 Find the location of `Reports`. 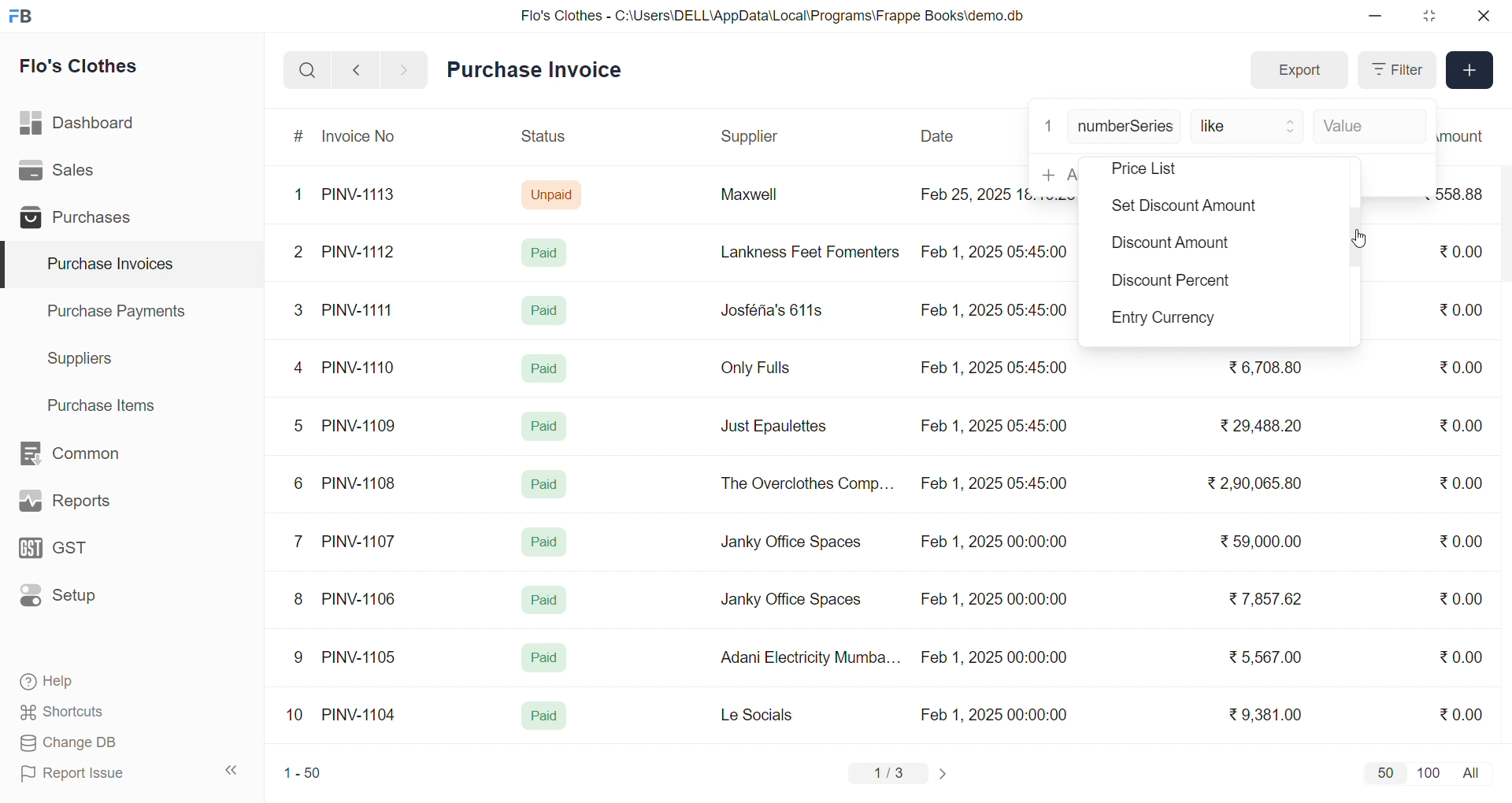

Reports is located at coordinates (83, 505).